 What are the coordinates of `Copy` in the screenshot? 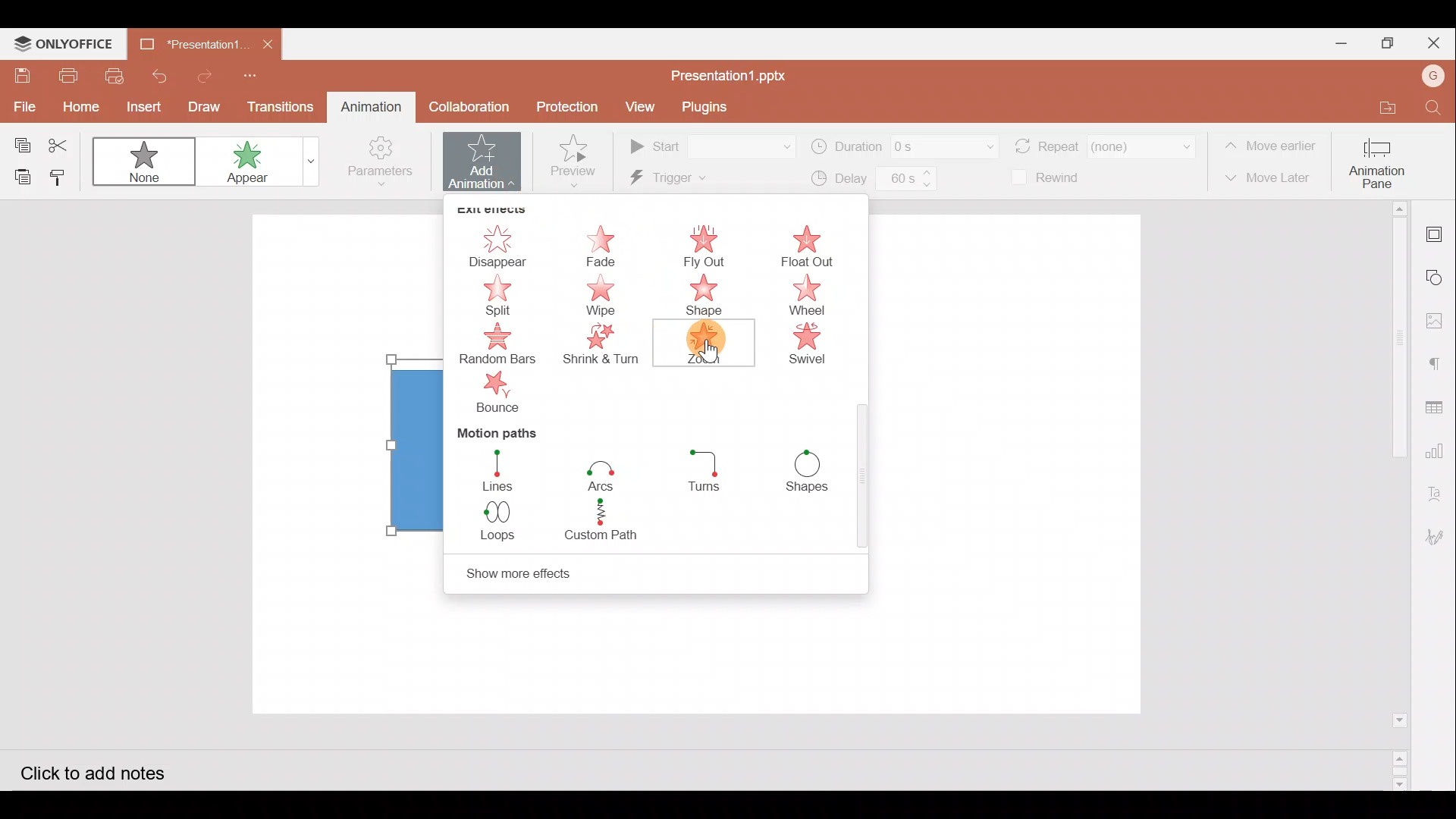 It's located at (18, 140).